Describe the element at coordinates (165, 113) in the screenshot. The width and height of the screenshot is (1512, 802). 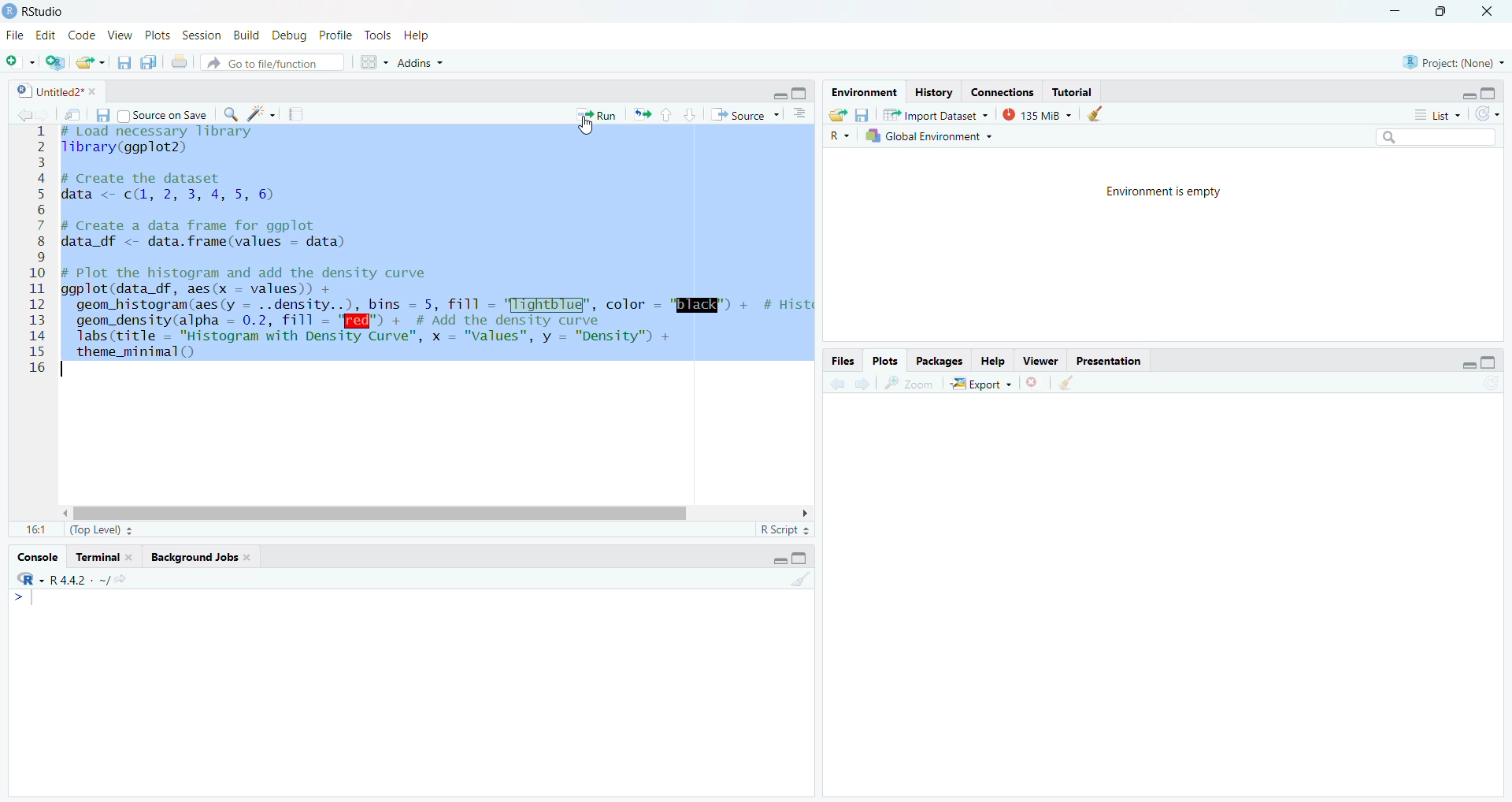
I see `| Source on Save` at that location.